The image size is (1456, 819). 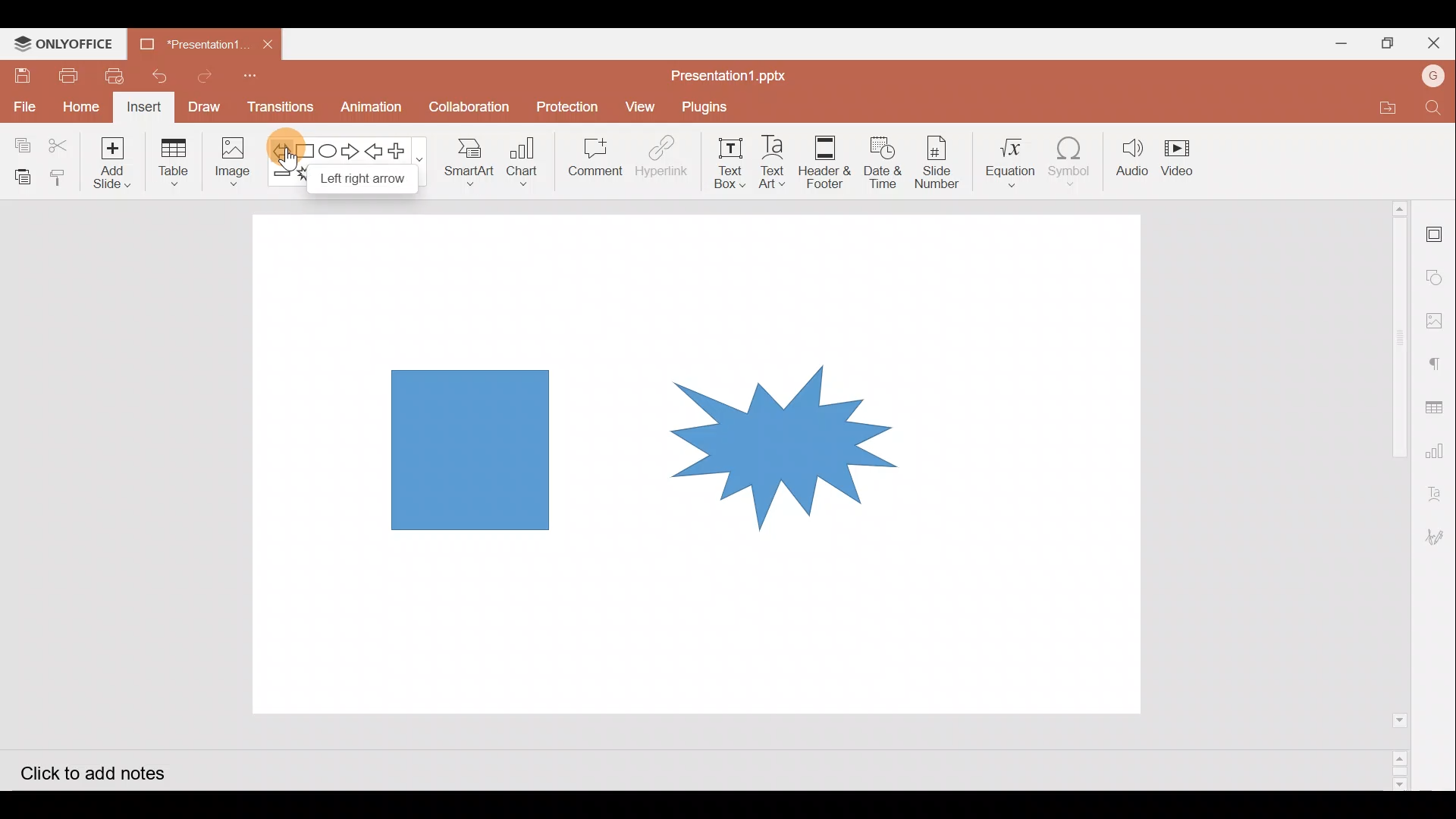 What do you see at coordinates (19, 140) in the screenshot?
I see `Copy` at bounding box center [19, 140].